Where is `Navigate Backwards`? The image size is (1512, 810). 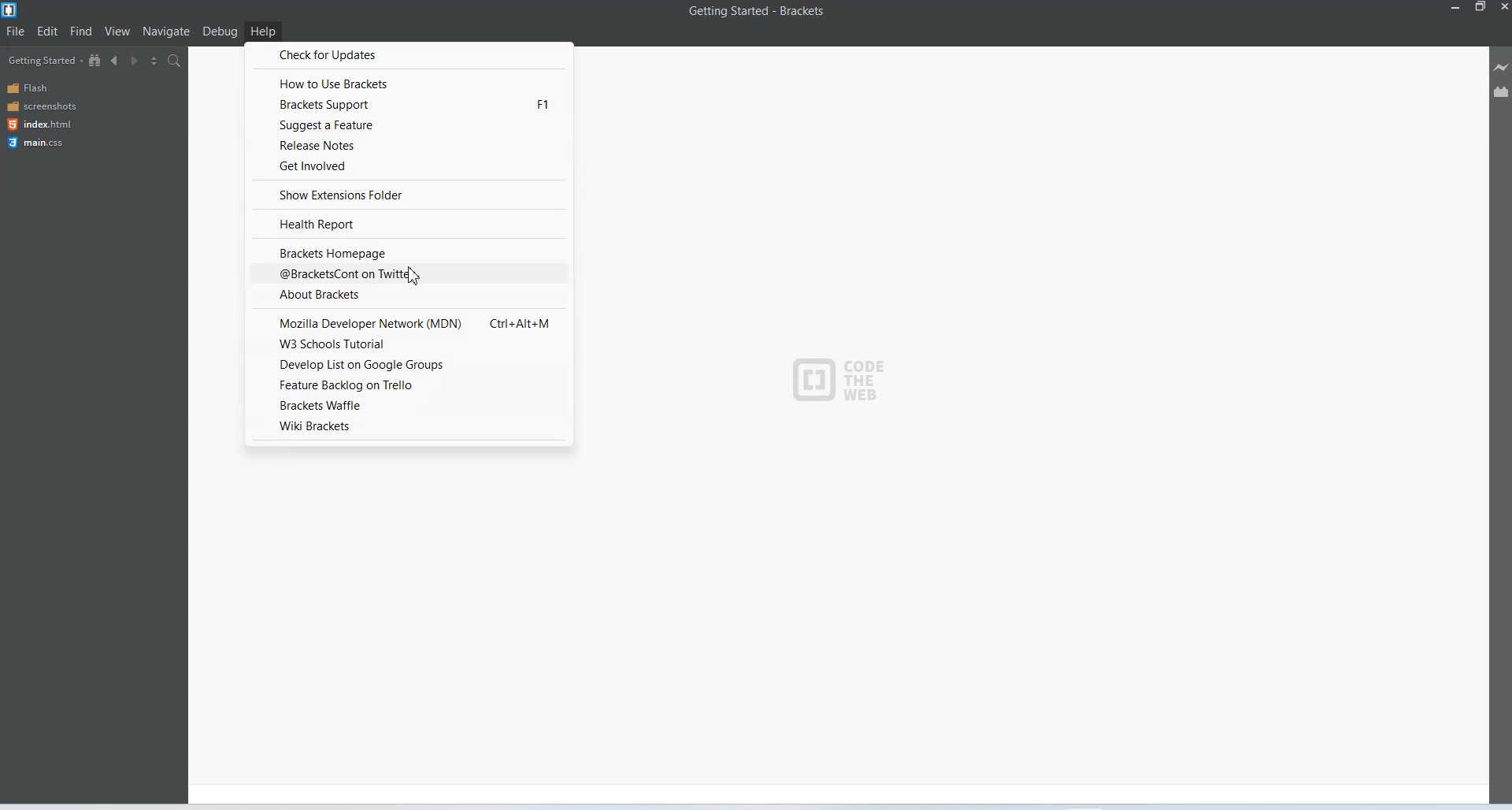 Navigate Backwards is located at coordinates (117, 61).